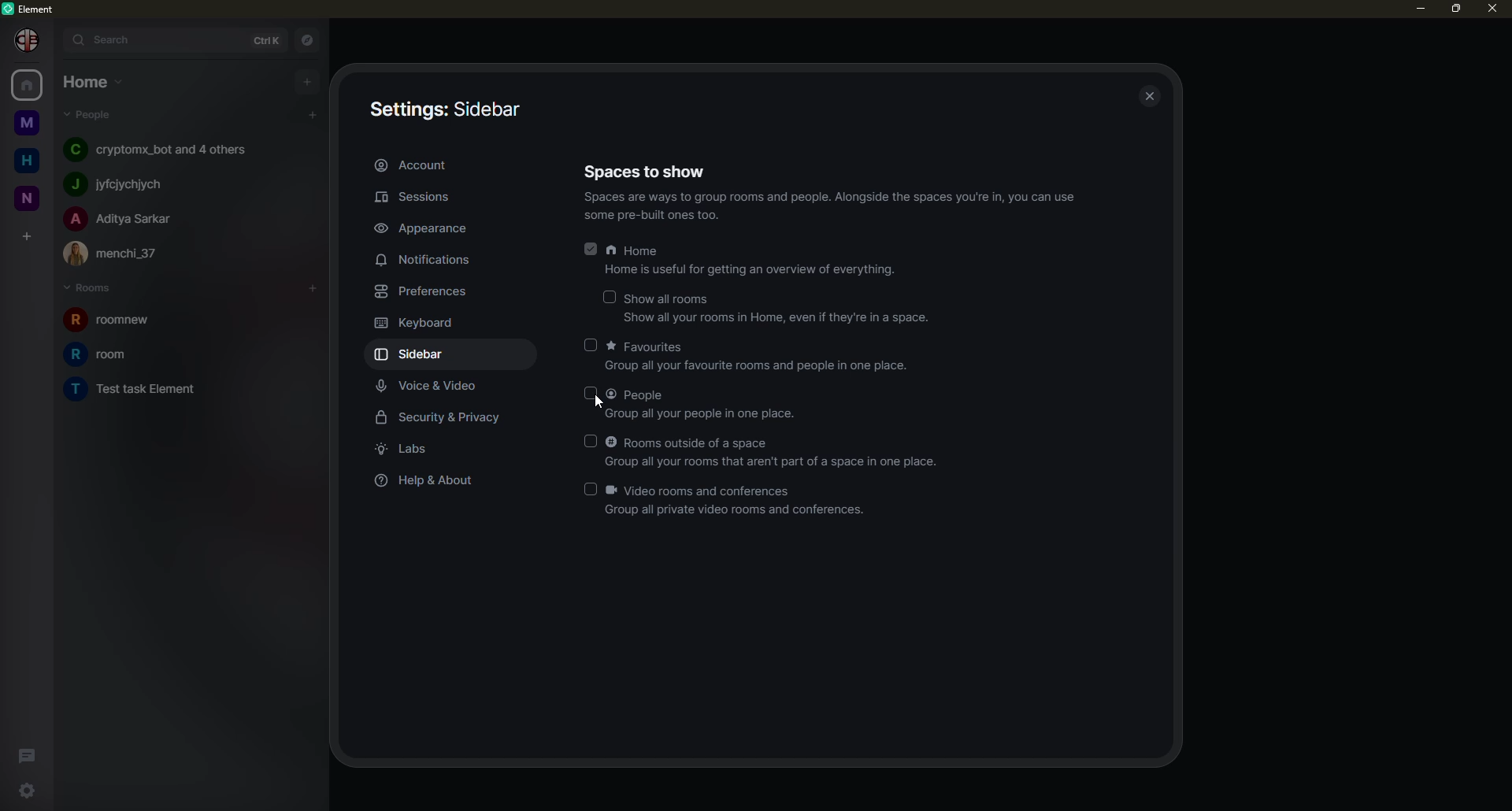 The height and width of the screenshot is (811, 1512). What do you see at coordinates (24, 124) in the screenshot?
I see `myspace` at bounding box center [24, 124].